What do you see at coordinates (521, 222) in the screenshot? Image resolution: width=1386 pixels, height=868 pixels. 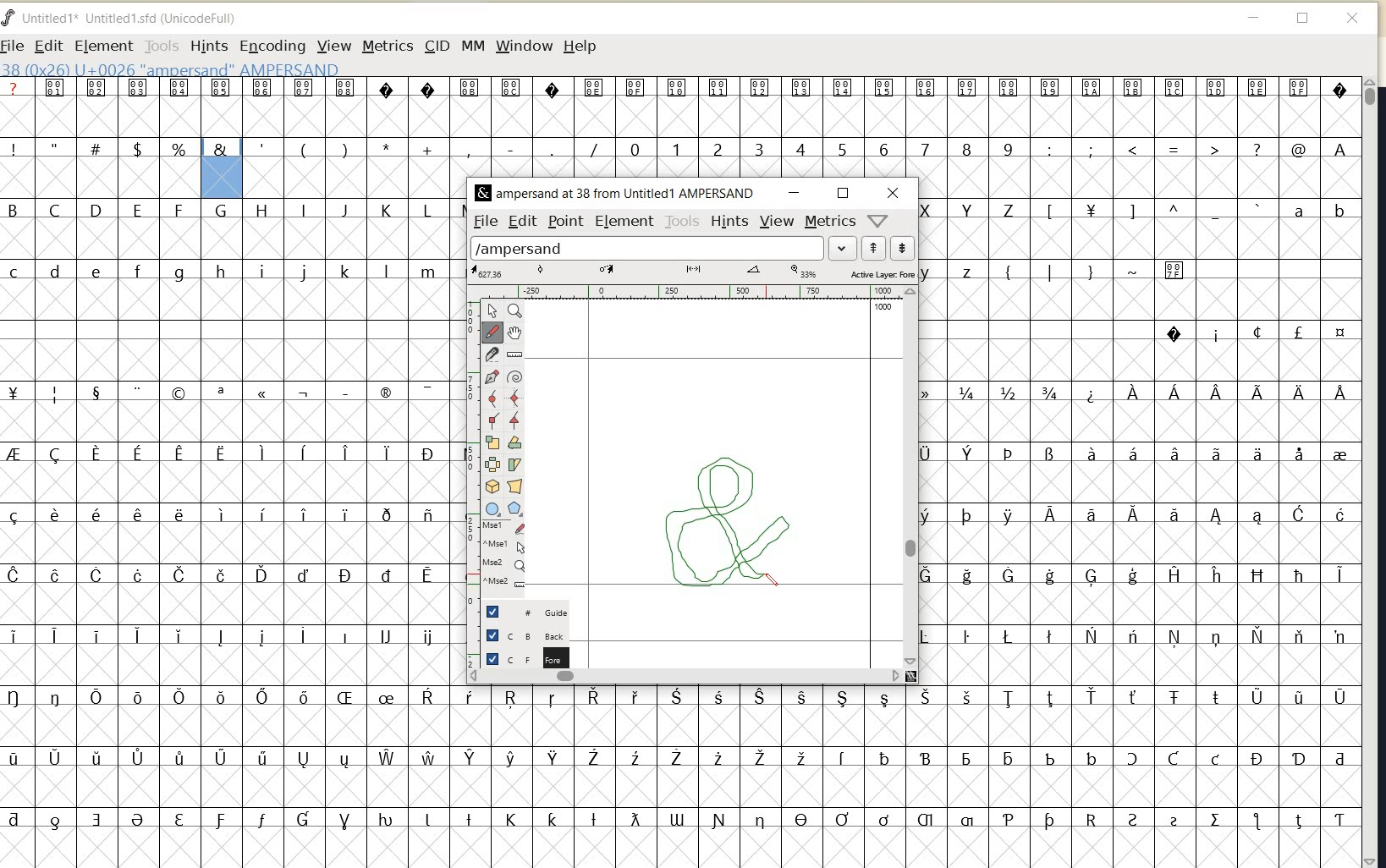 I see `EDIT` at bounding box center [521, 222].